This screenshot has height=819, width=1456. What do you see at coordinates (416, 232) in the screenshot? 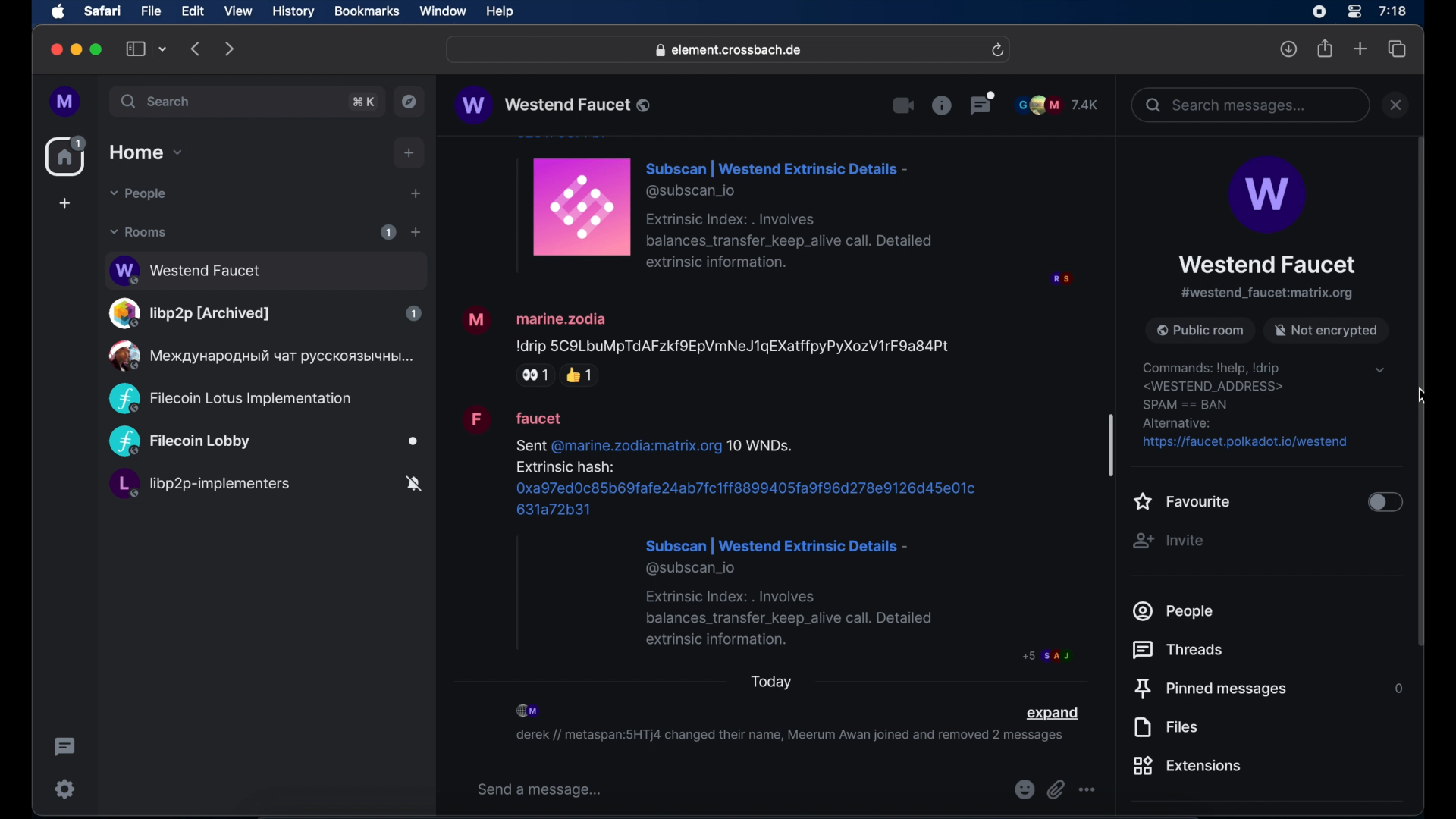
I see `add room` at bounding box center [416, 232].